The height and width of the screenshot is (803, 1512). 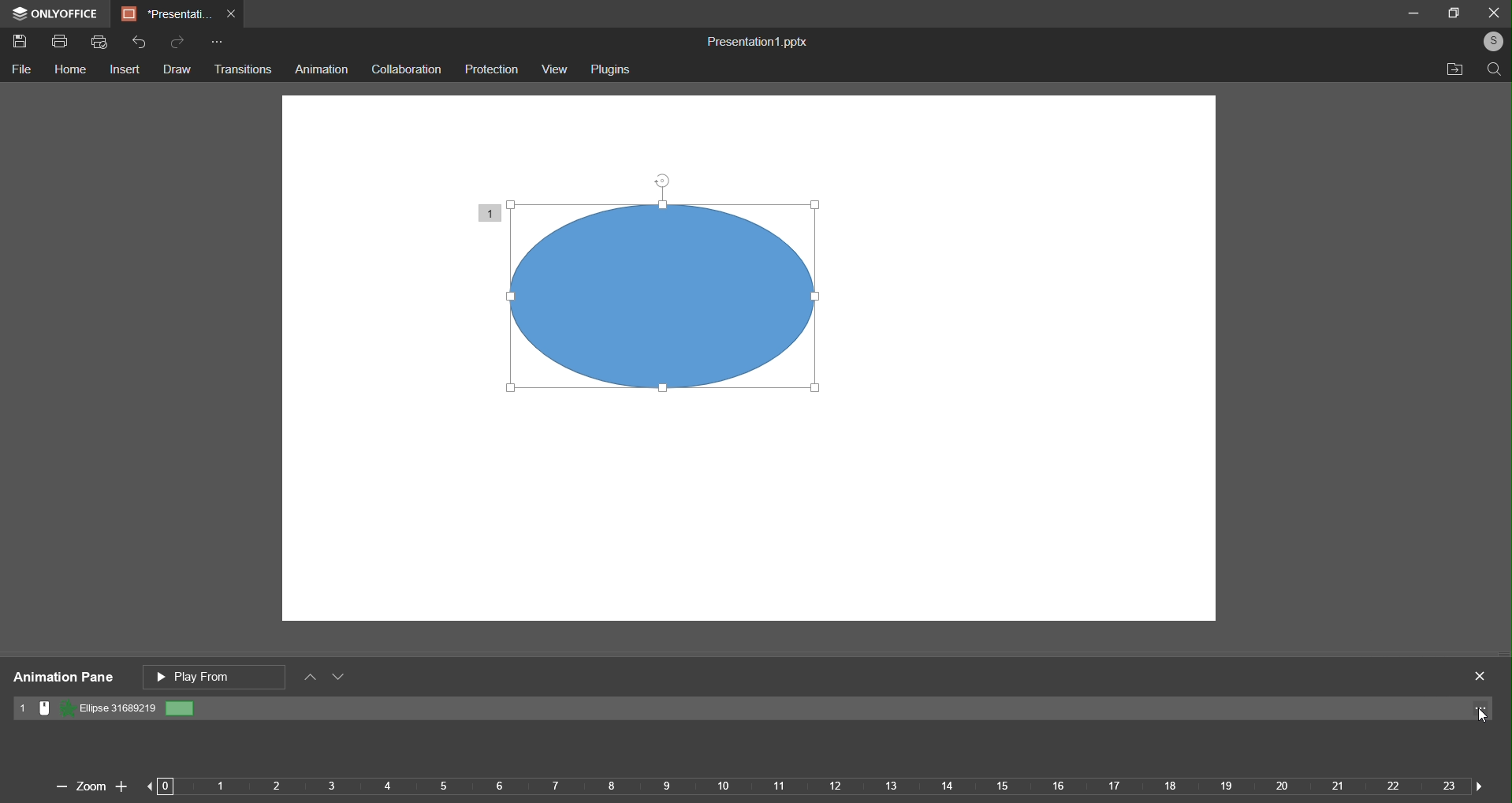 I want to click on Zoom, so click(x=89, y=786).